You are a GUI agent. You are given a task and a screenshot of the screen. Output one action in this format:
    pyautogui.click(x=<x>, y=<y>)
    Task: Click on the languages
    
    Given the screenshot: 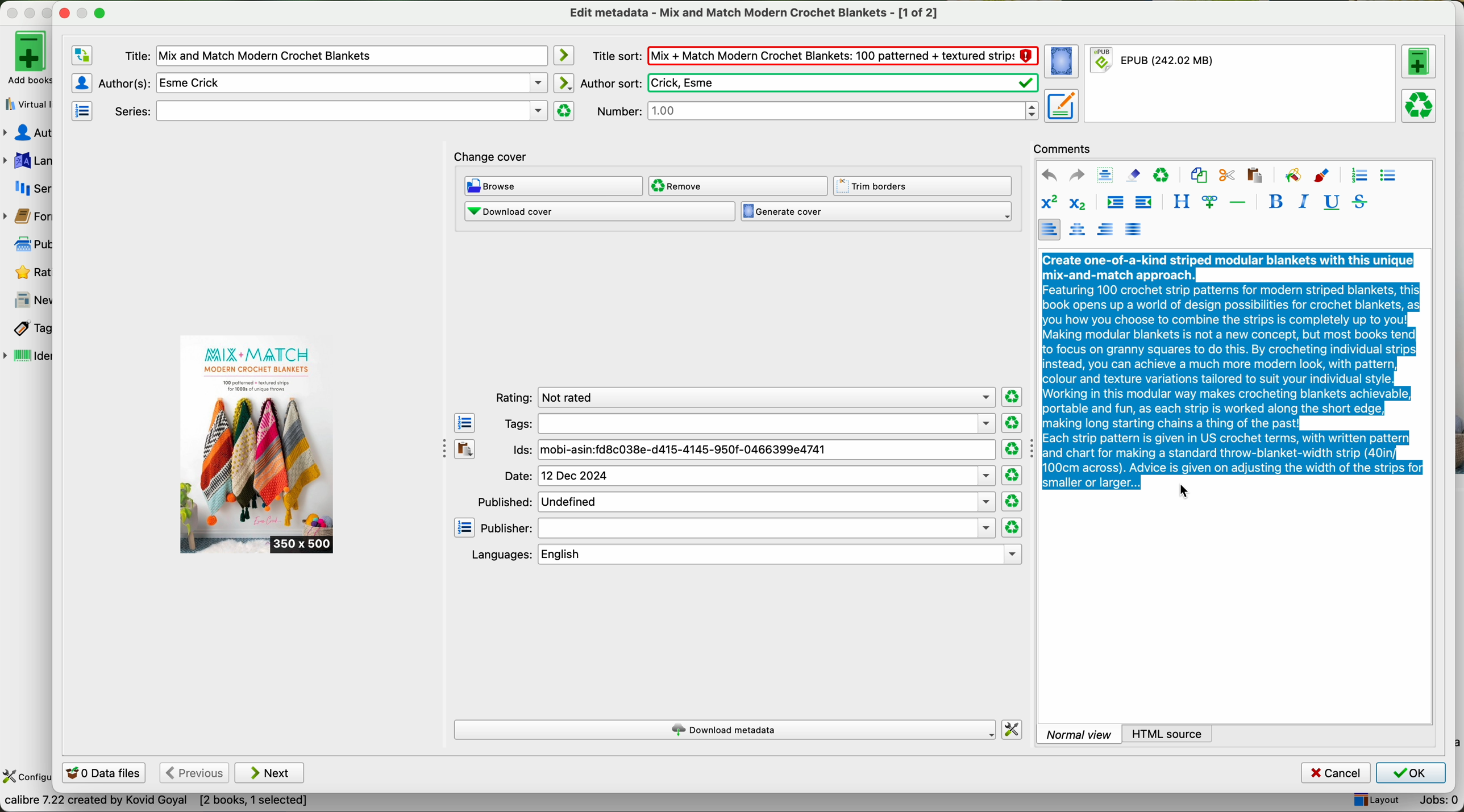 What is the action you would take?
    pyautogui.click(x=27, y=161)
    